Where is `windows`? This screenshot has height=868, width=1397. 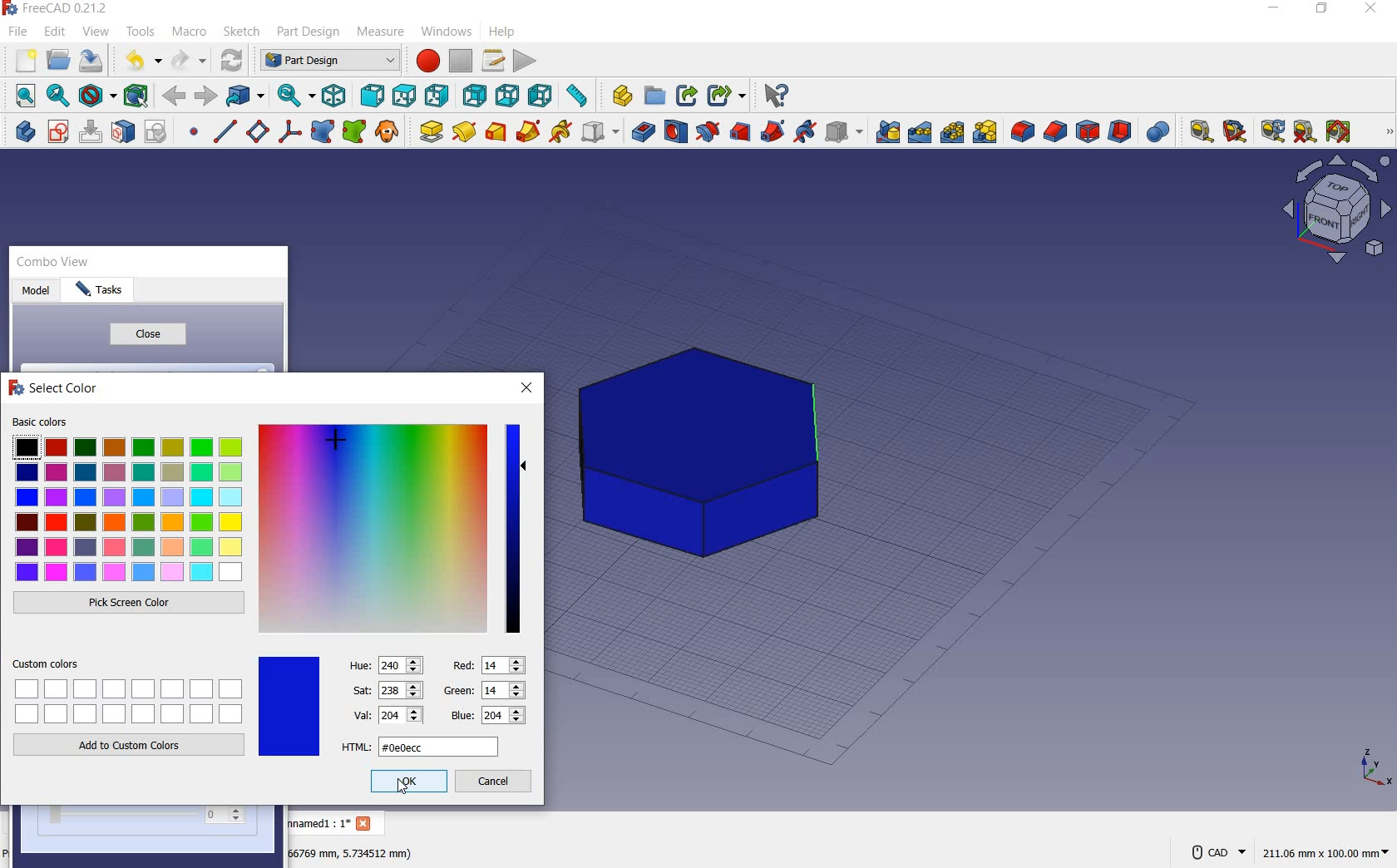
windows is located at coordinates (447, 34).